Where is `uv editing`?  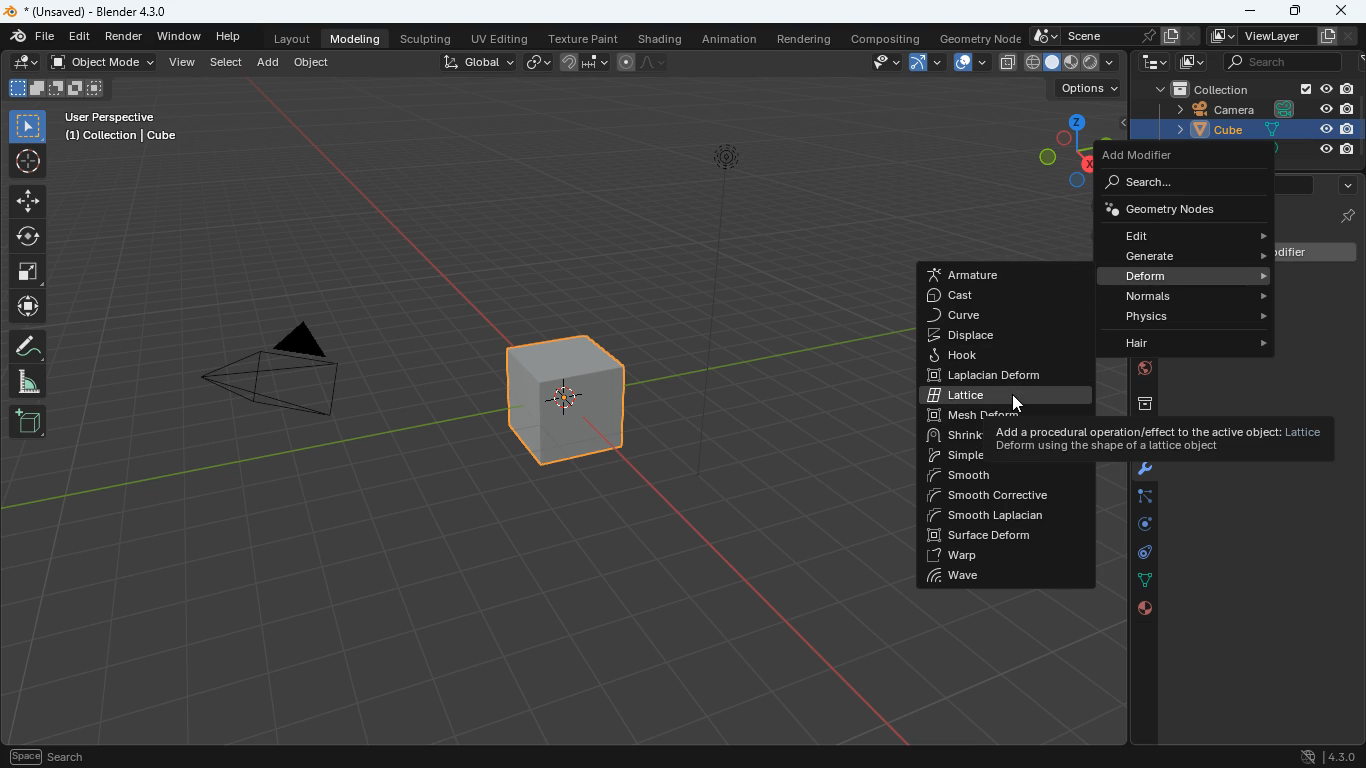 uv editing is located at coordinates (499, 37).